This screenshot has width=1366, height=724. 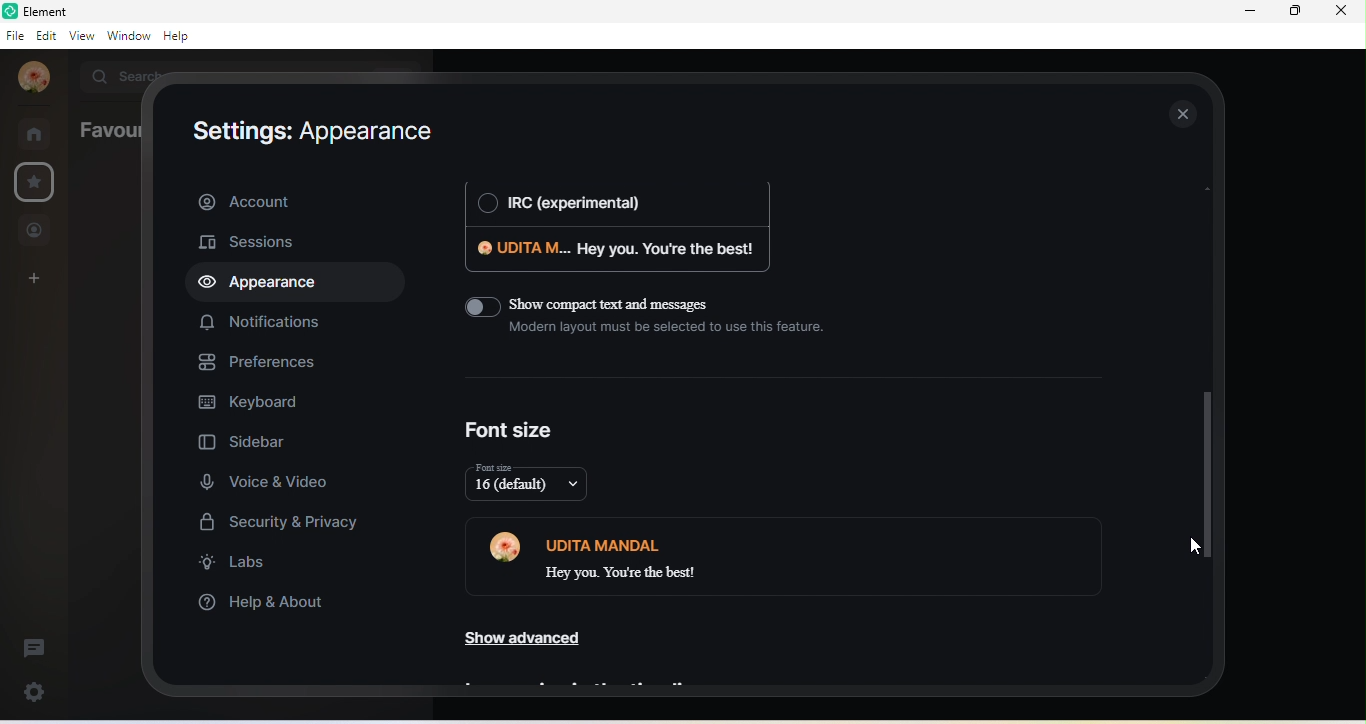 What do you see at coordinates (261, 605) in the screenshot?
I see `help and about` at bounding box center [261, 605].